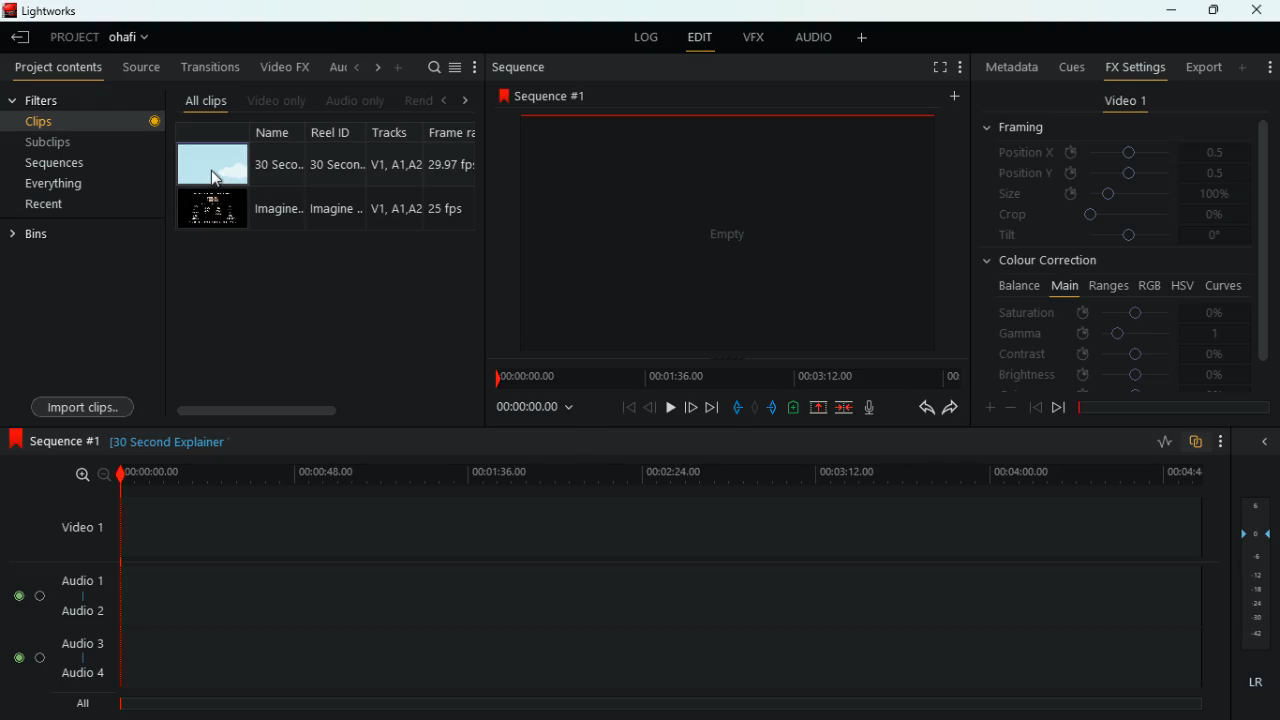  What do you see at coordinates (84, 526) in the screenshot?
I see `video 1` at bounding box center [84, 526].